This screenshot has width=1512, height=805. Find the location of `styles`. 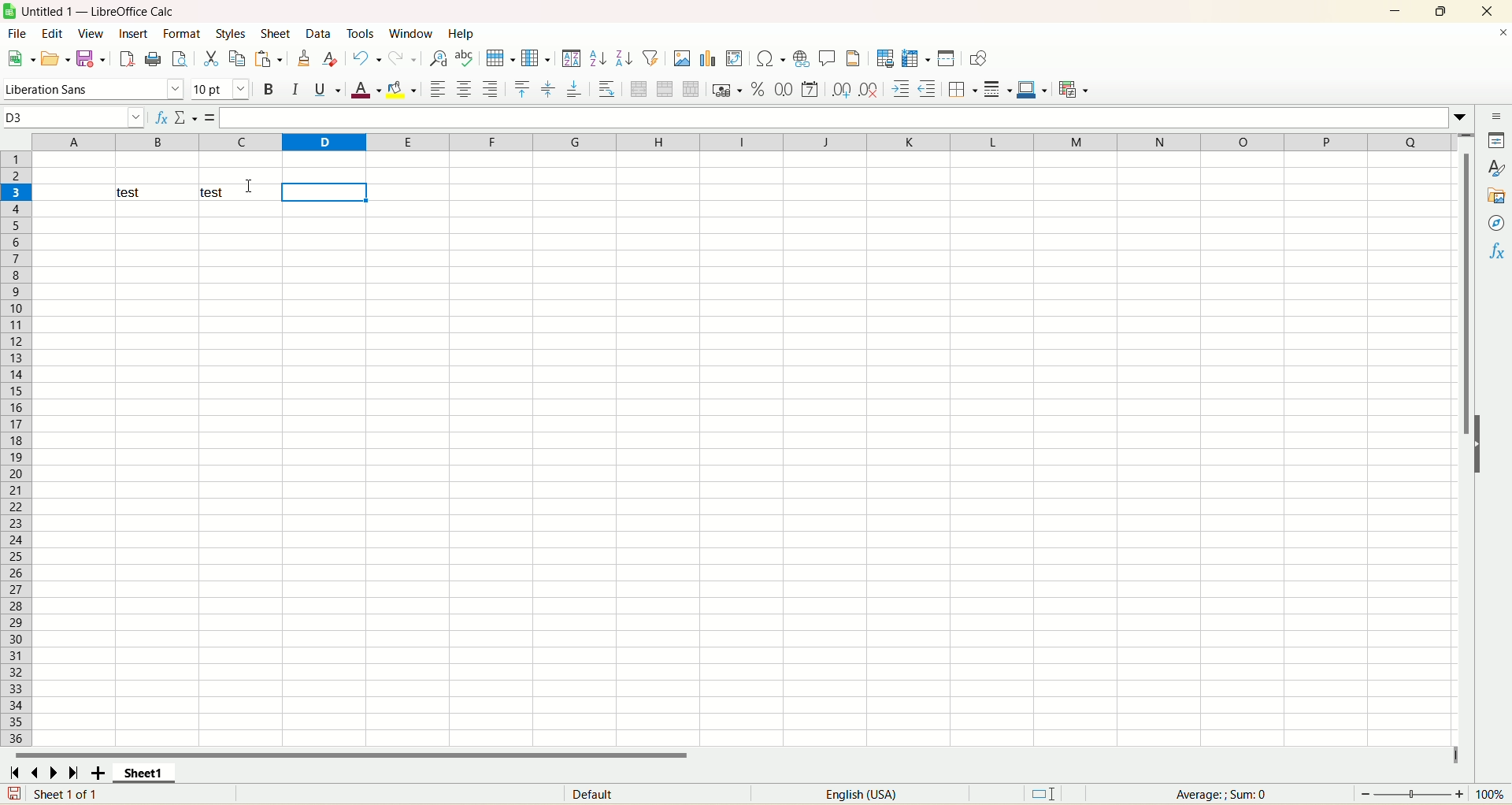

styles is located at coordinates (232, 33).